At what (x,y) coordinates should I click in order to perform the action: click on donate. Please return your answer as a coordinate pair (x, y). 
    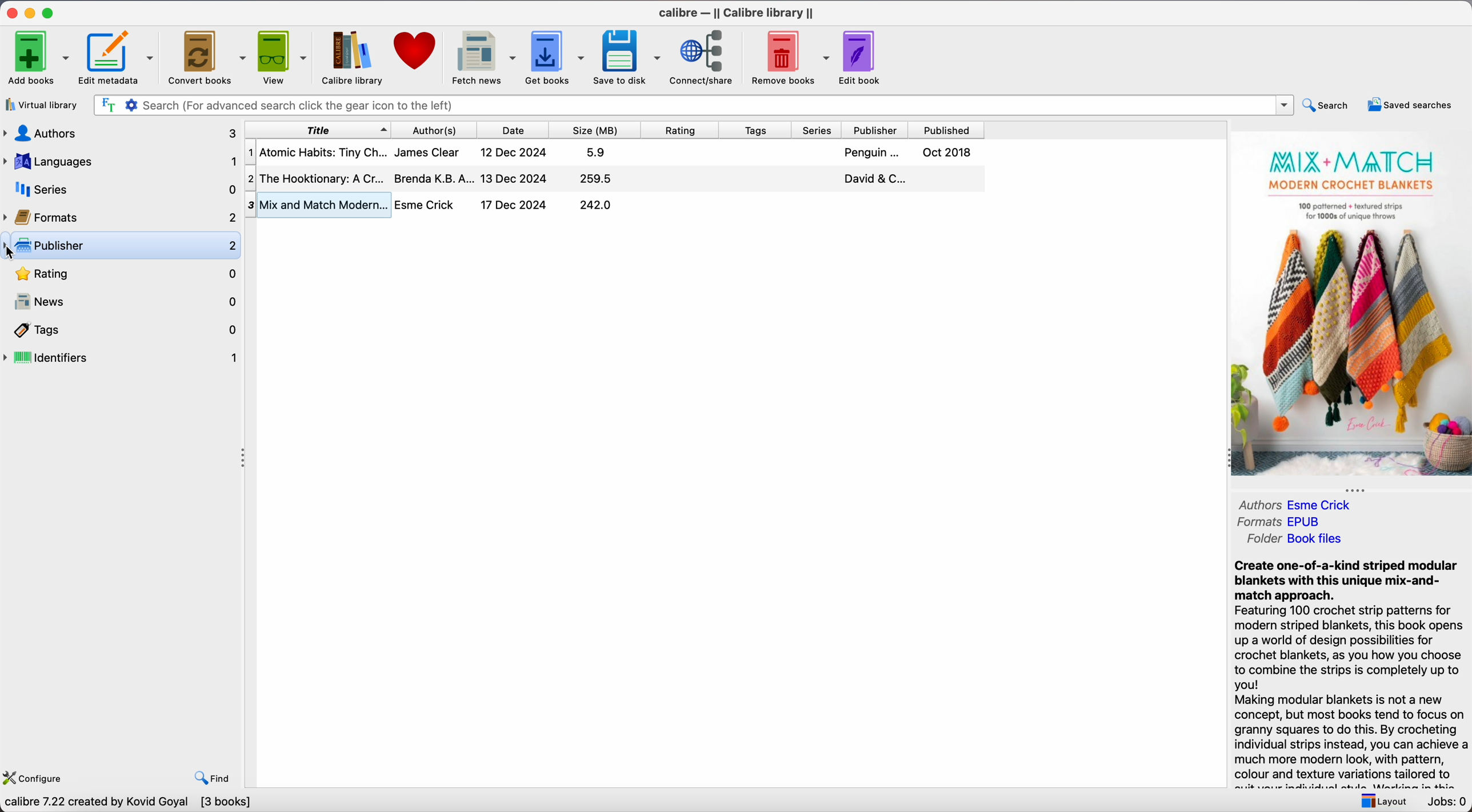
    Looking at the image, I should click on (416, 52).